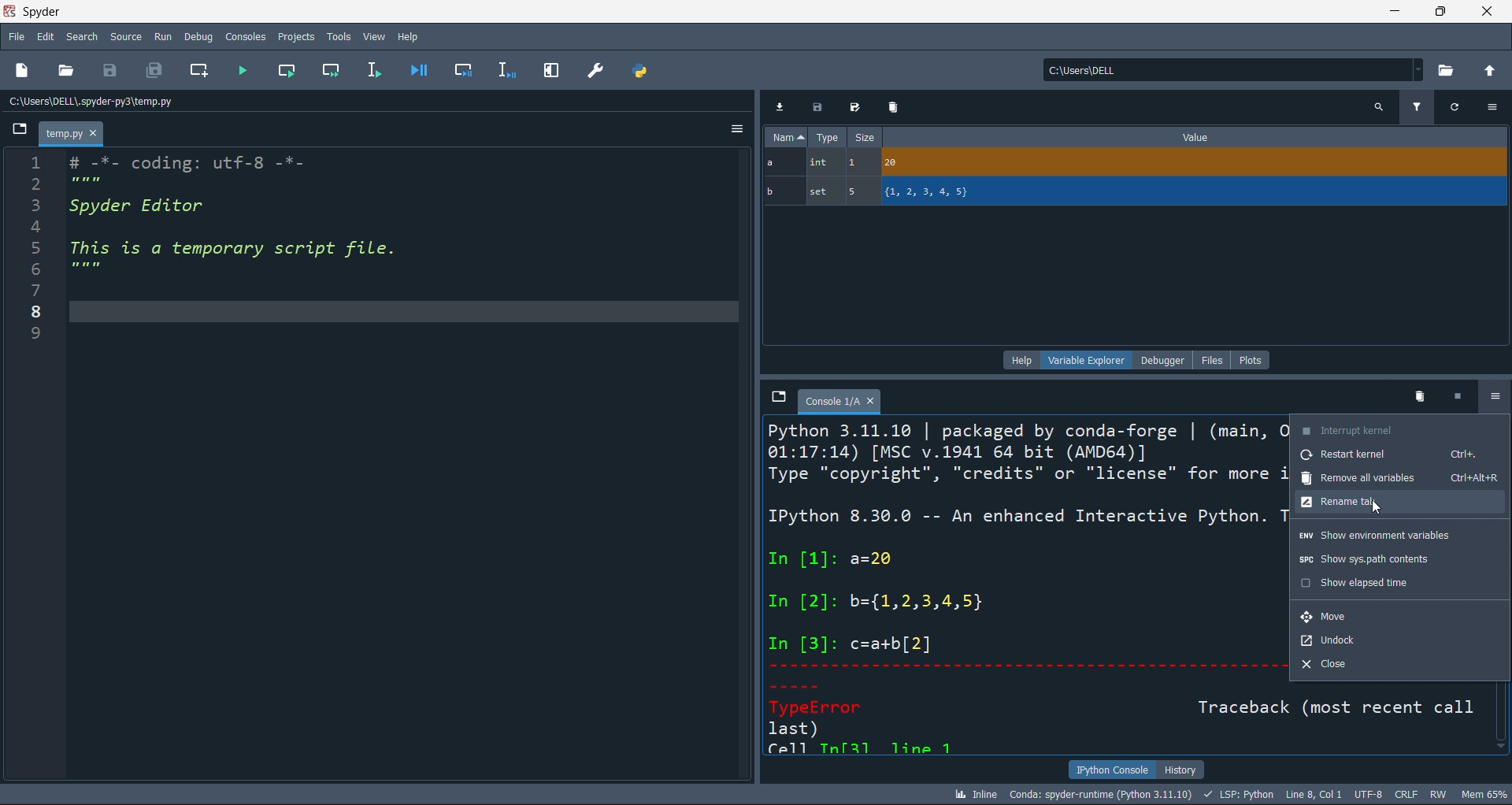 This screenshot has width=1512, height=805. I want to click on run cell, so click(335, 72).